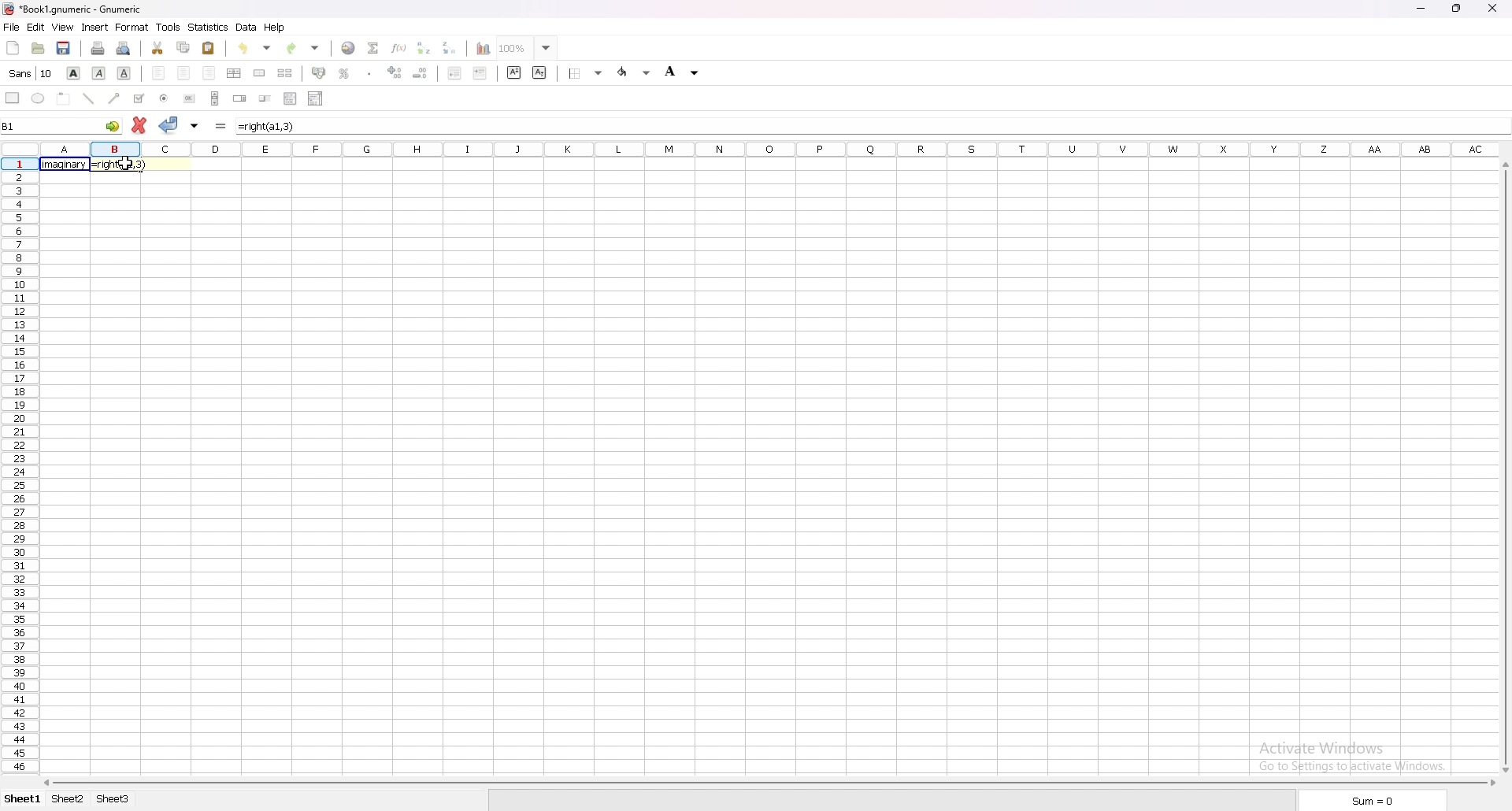 This screenshot has height=811, width=1512. I want to click on merge cells, so click(260, 72).